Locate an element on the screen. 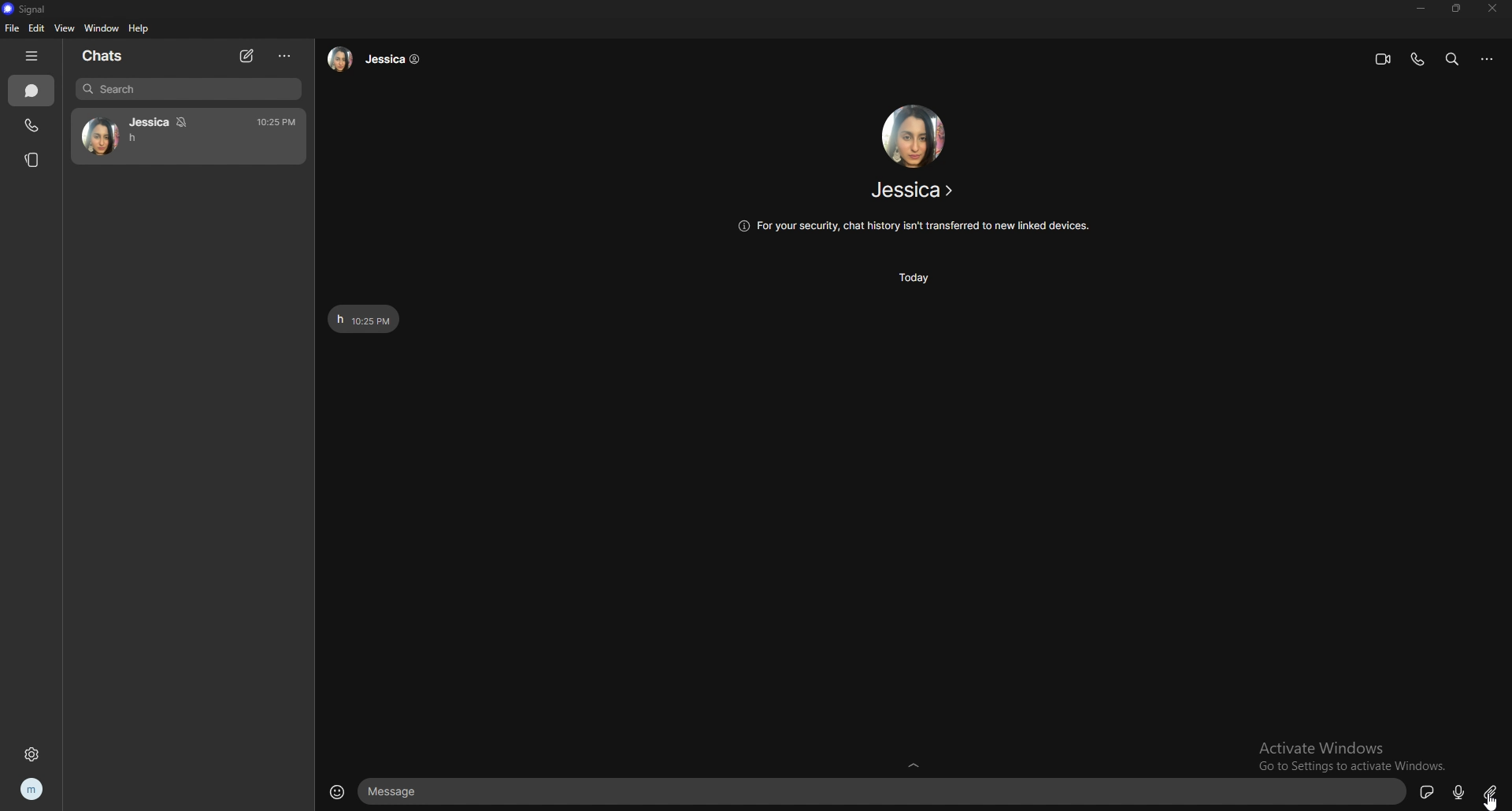 This screenshot has width=1512, height=811. text is located at coordinates (364, 318).